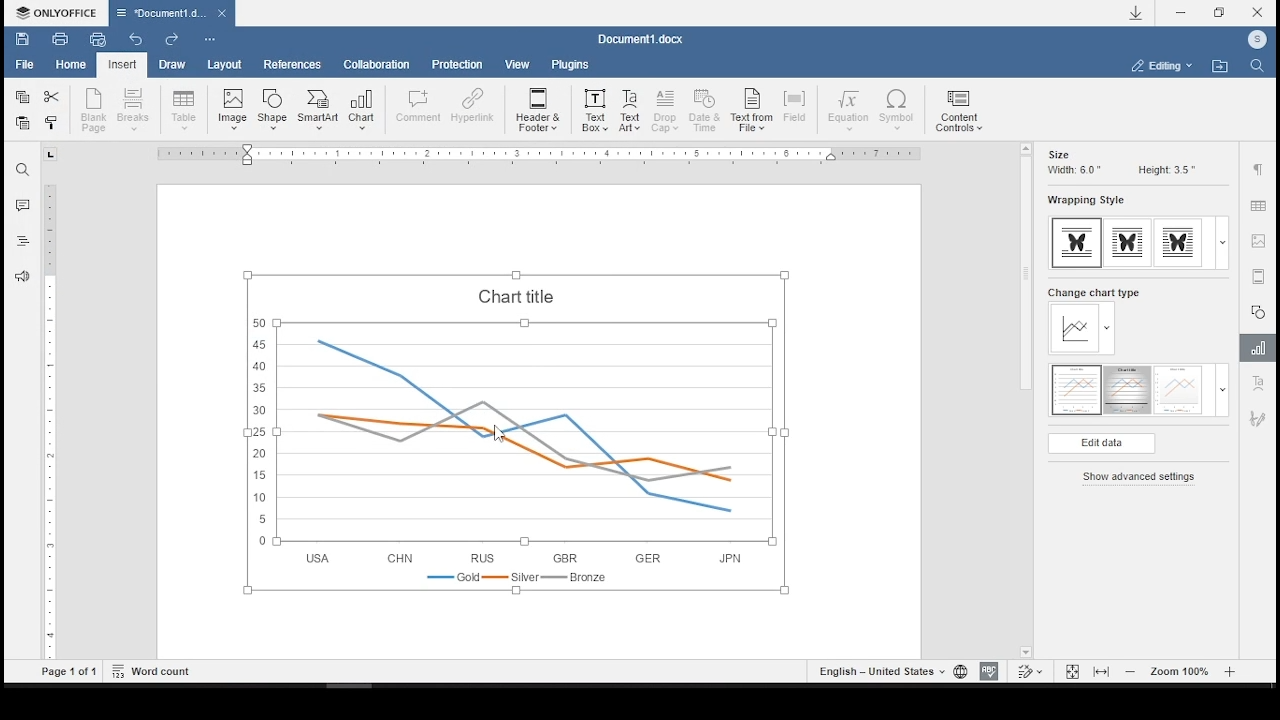 This screenshot has height=720, width=1280. Describe the element at coordinates (666, 111) in the screenshot. I see `drop cap` at that location.